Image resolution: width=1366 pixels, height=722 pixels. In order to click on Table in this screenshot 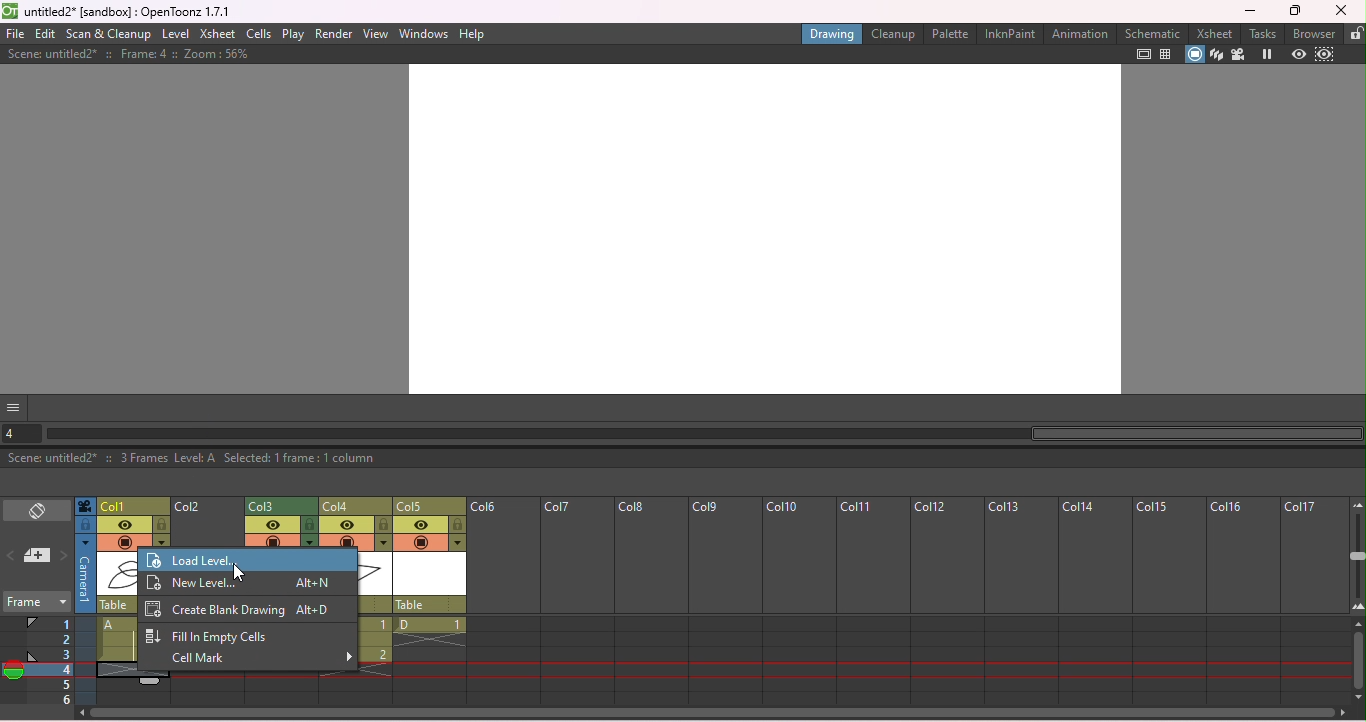, I will do `click(431, 605)`.